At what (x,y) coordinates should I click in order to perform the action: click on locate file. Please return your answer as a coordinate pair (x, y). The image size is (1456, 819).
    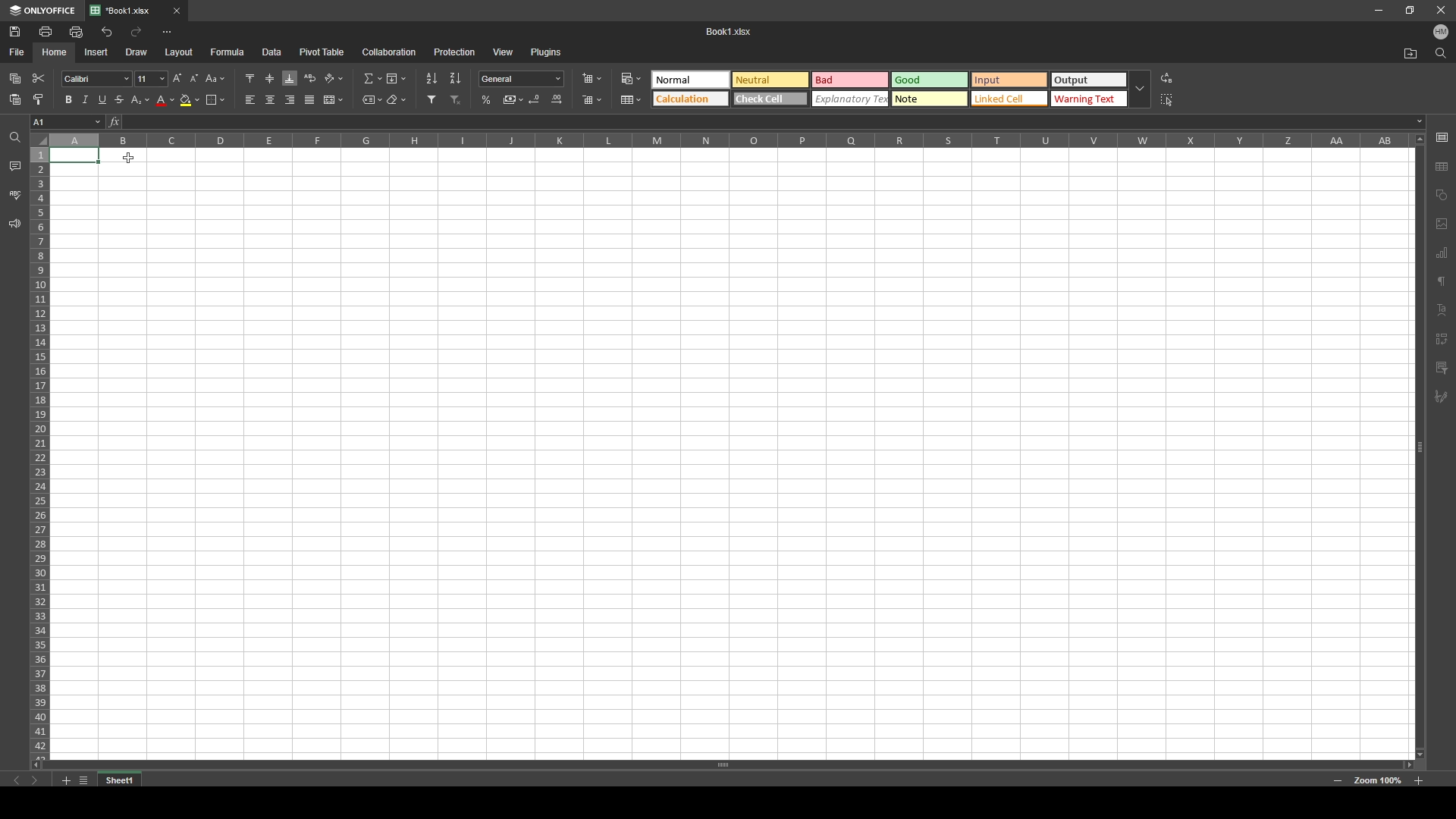
    Looking at the image, I should click on (1410, 53).